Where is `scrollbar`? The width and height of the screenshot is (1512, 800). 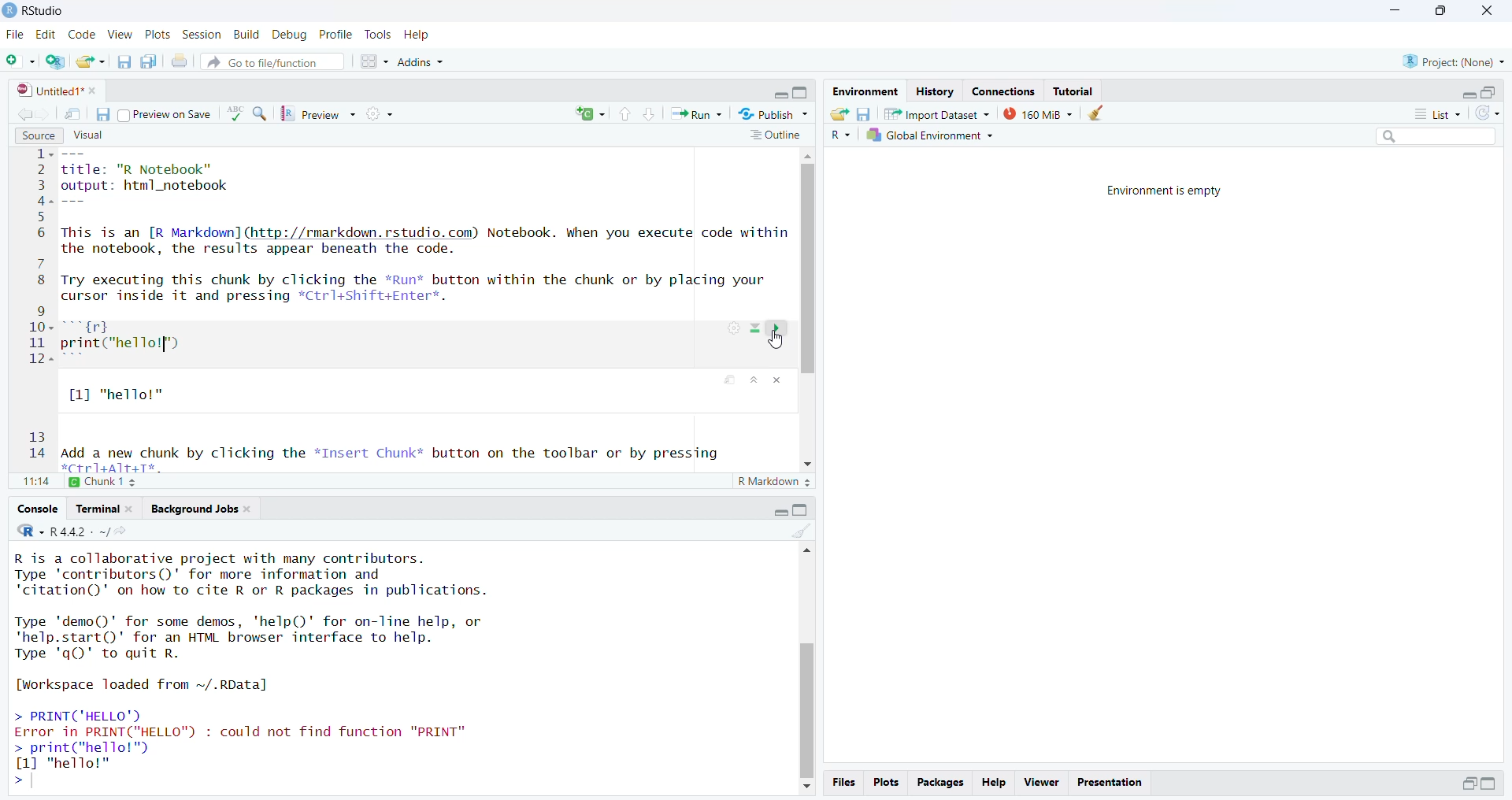
scrollbar is located at coordinates (806, 669).